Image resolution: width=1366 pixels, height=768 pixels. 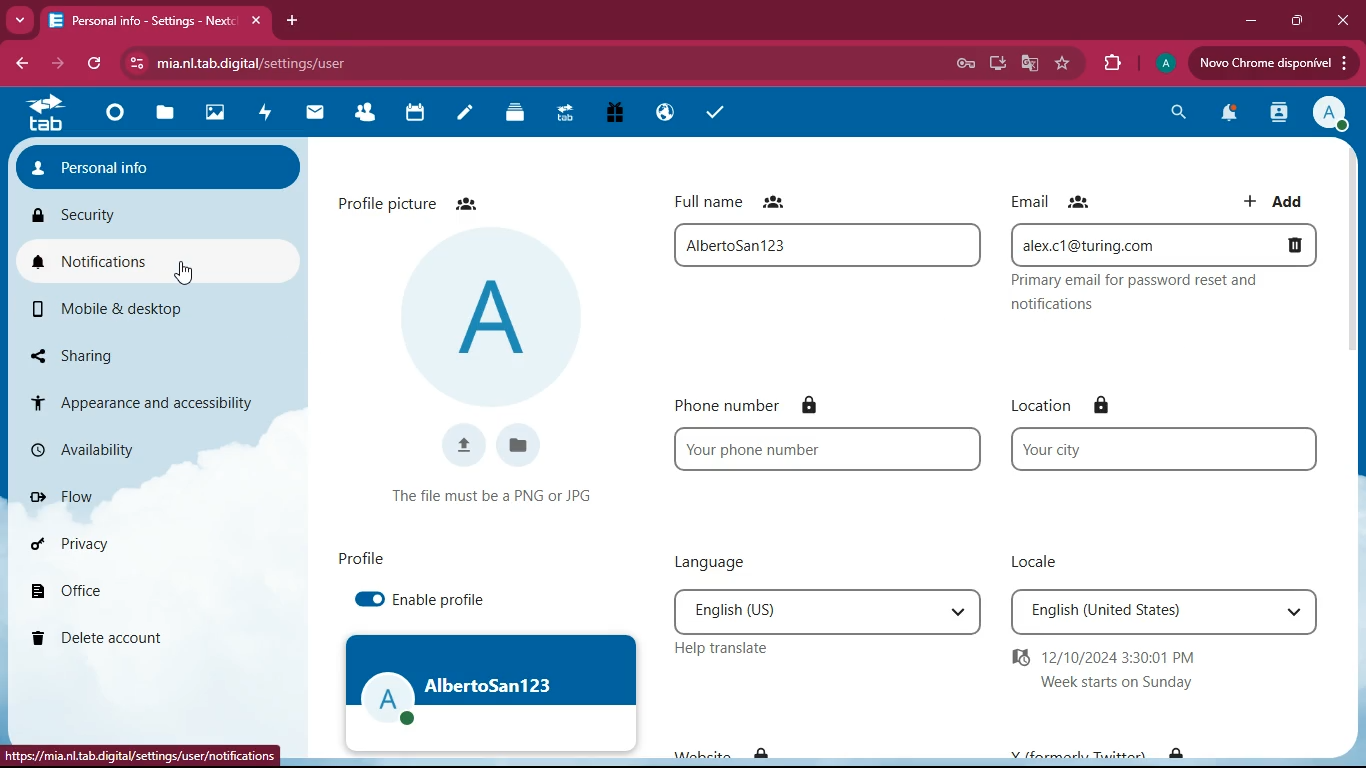 What do you see at coordinates (145, 396) in the screenshot?
I see `appearance` at bounding box center [145, 396].